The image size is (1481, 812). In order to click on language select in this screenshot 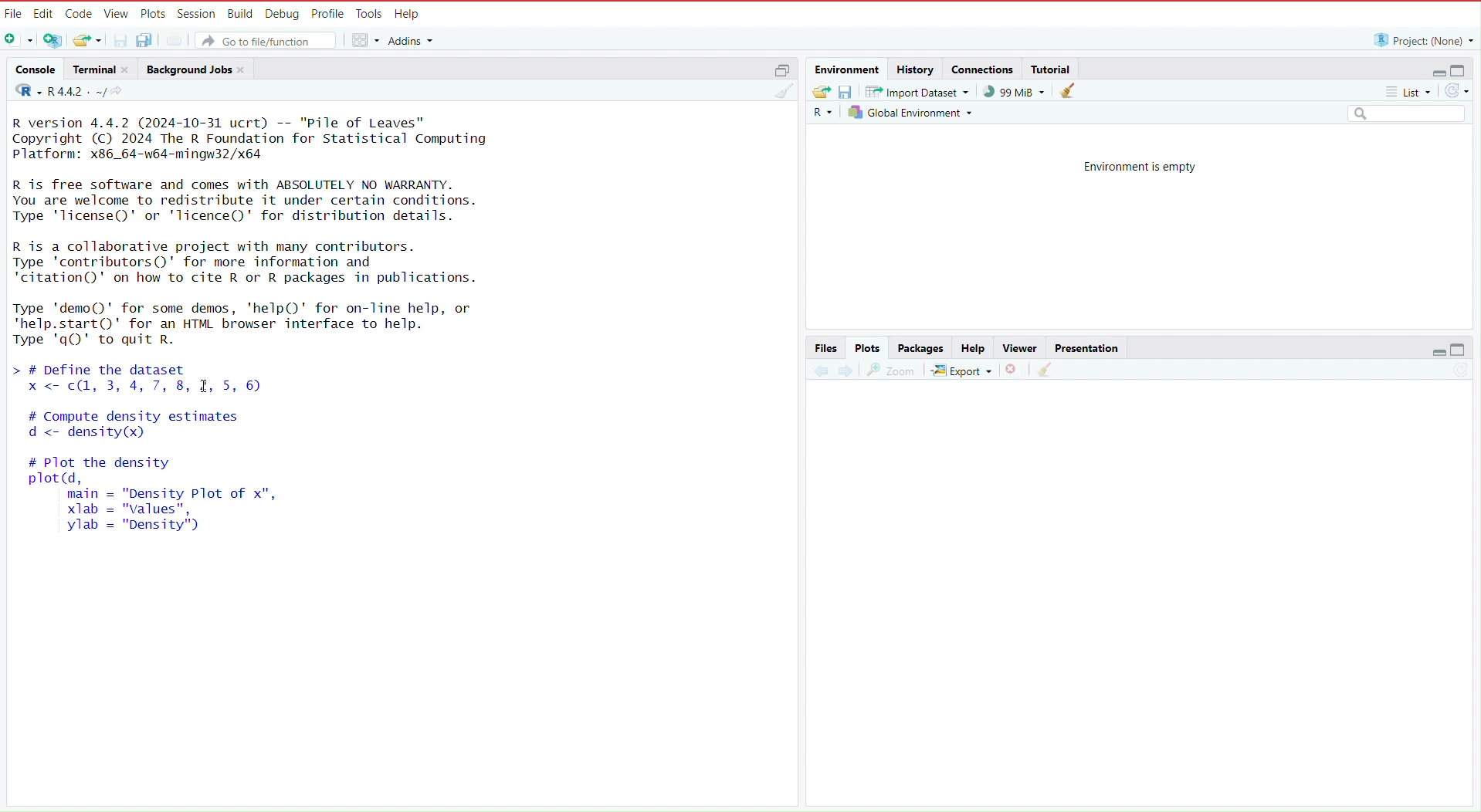, I will do `click(22, 92)`.